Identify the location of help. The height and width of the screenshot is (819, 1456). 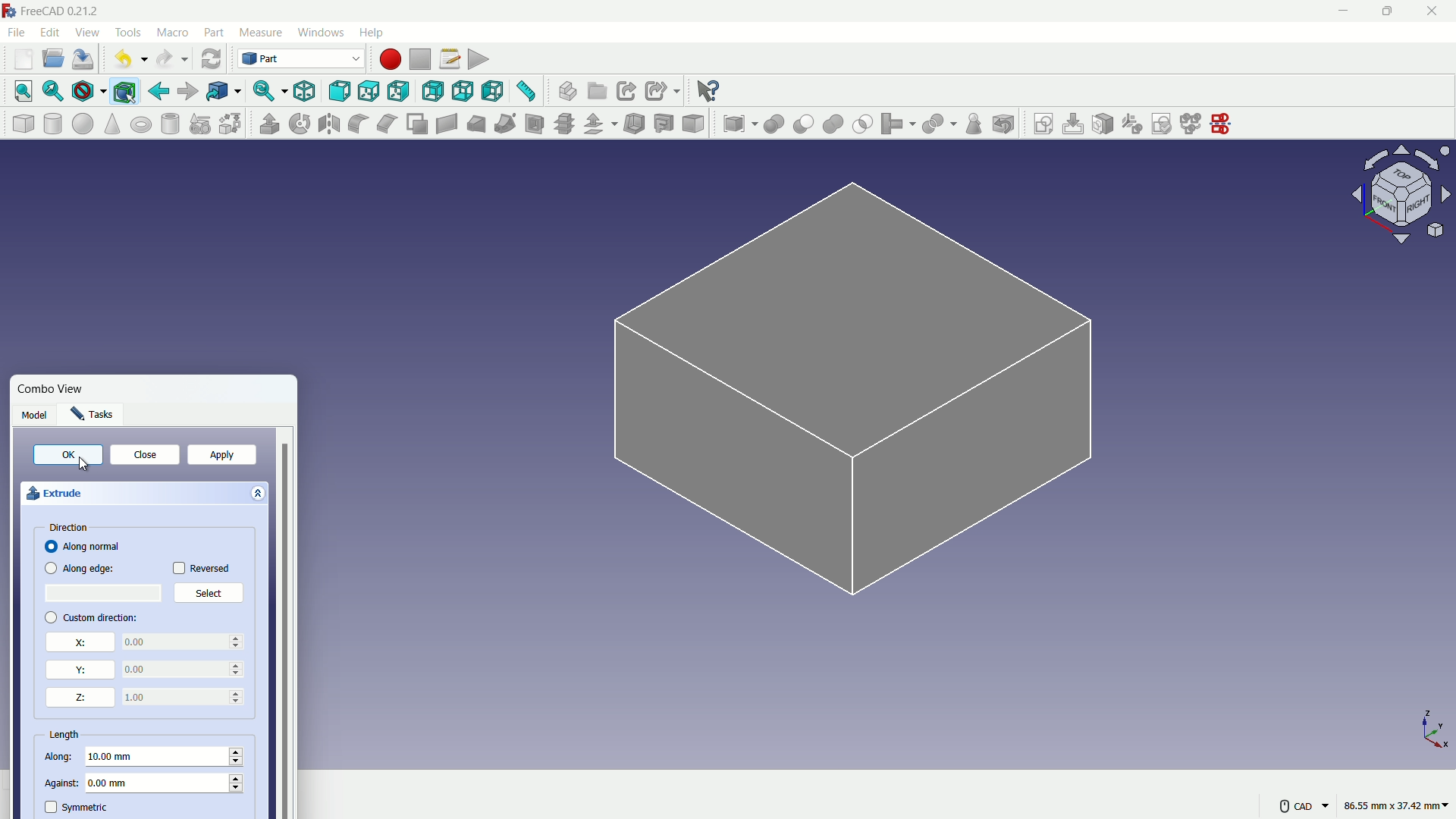
(373, 32).